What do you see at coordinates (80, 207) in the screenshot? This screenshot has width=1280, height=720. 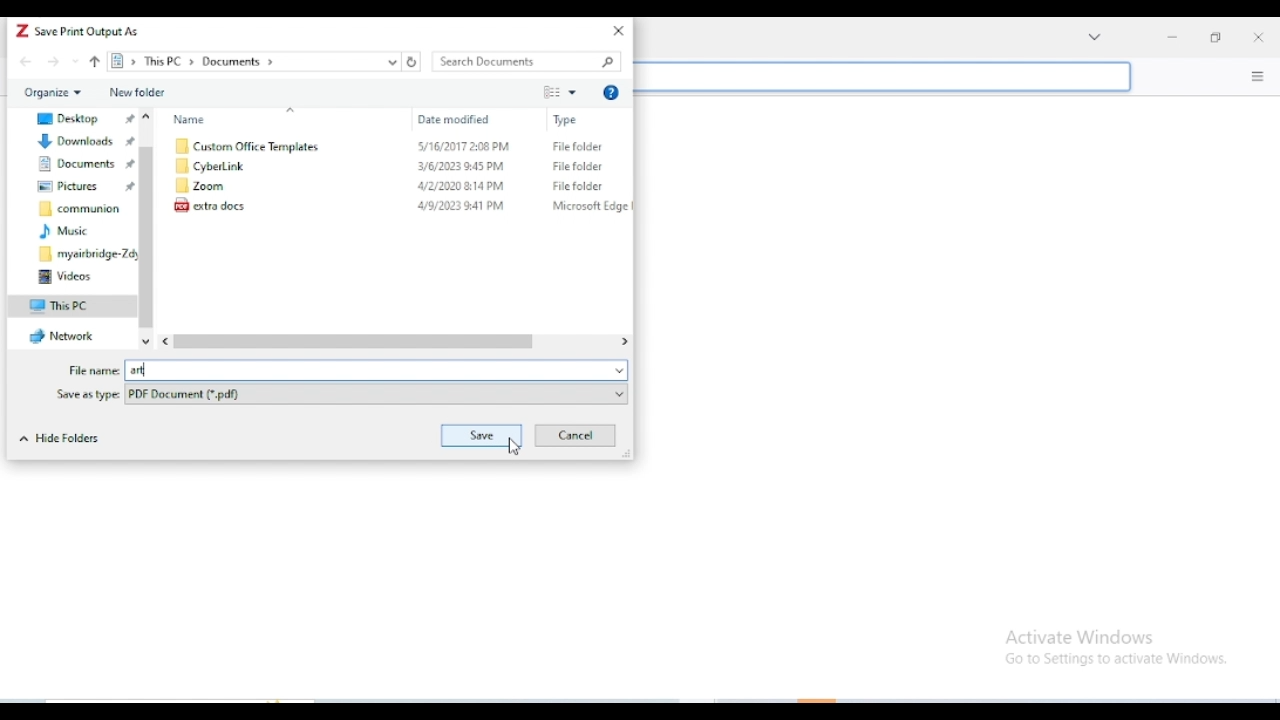 I see `communion` at bounding box center [80, 207].